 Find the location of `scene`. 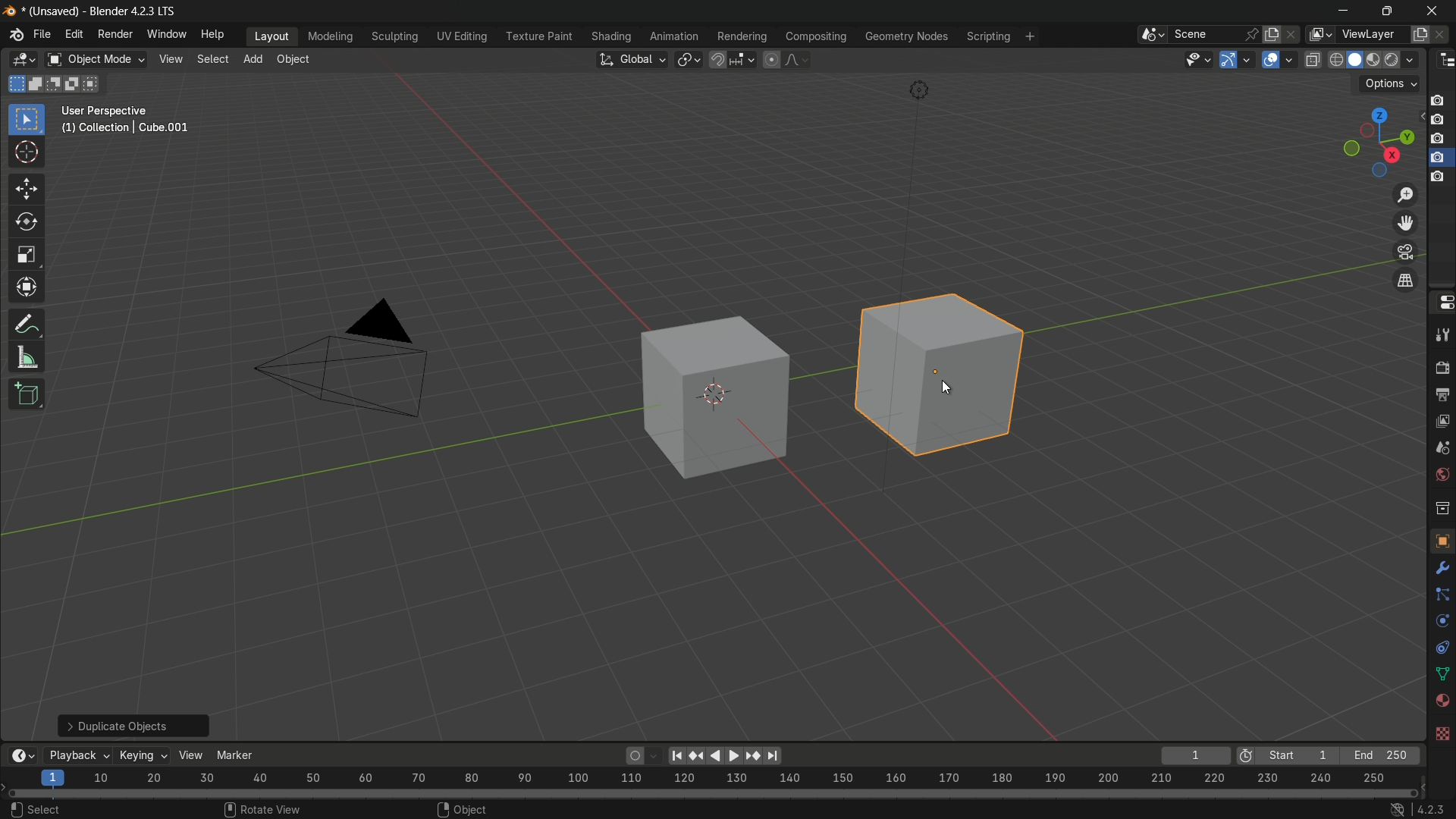

scene is located at coordinates (1213, 34).